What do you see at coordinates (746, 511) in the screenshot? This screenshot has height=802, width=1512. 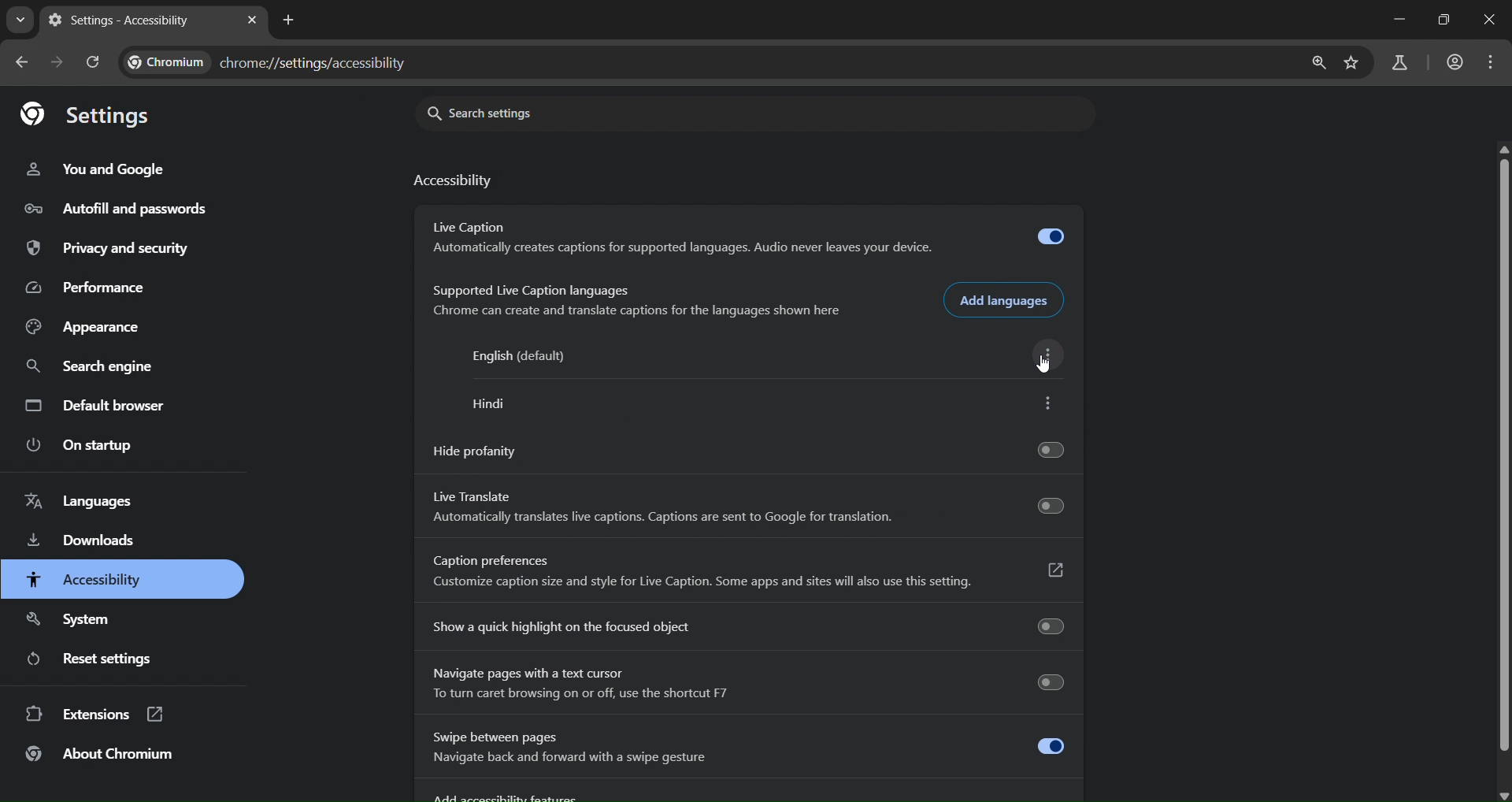 I see `Live Translate
Automatically translates live captions. Captions are sent to Google for translation.` at bounding box center [746, 511].